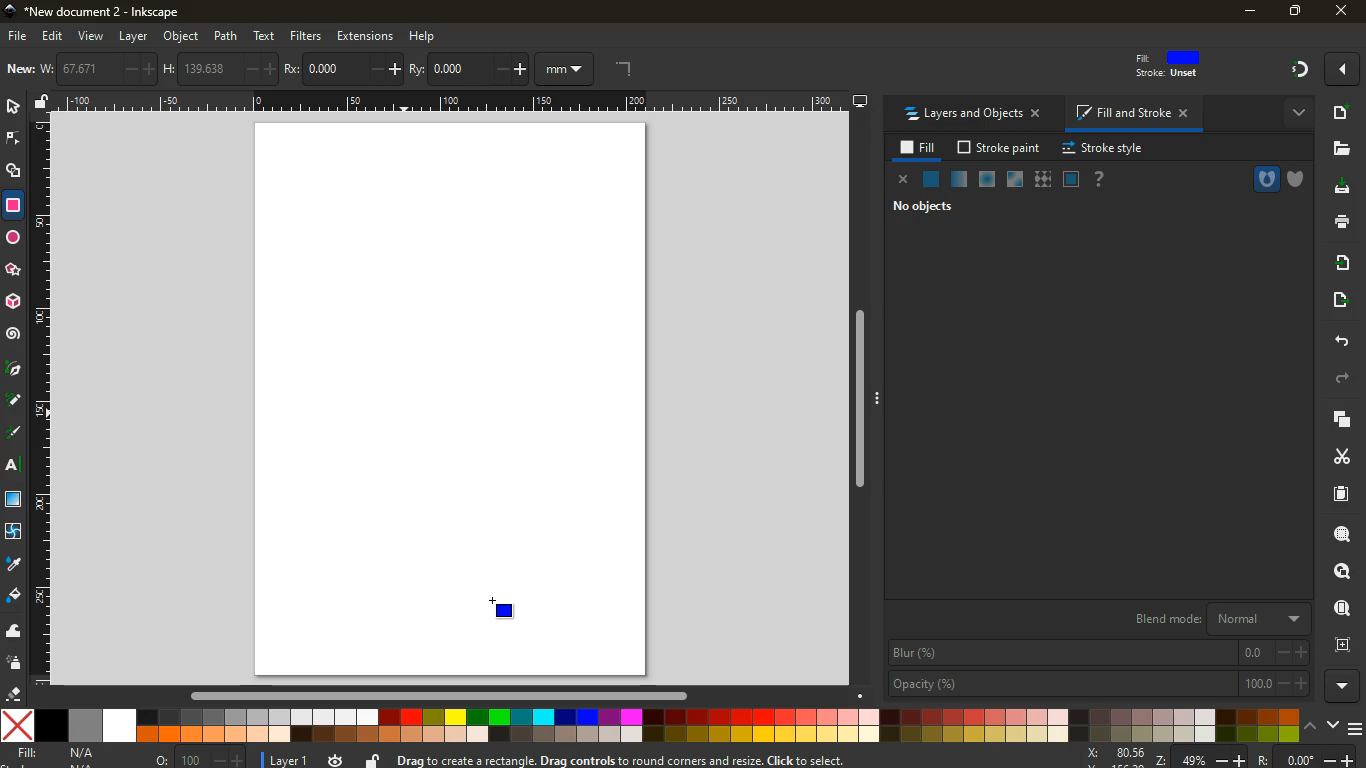 This screenshot has width=1366, height=768. I want to click on layer, so click(133, 37).